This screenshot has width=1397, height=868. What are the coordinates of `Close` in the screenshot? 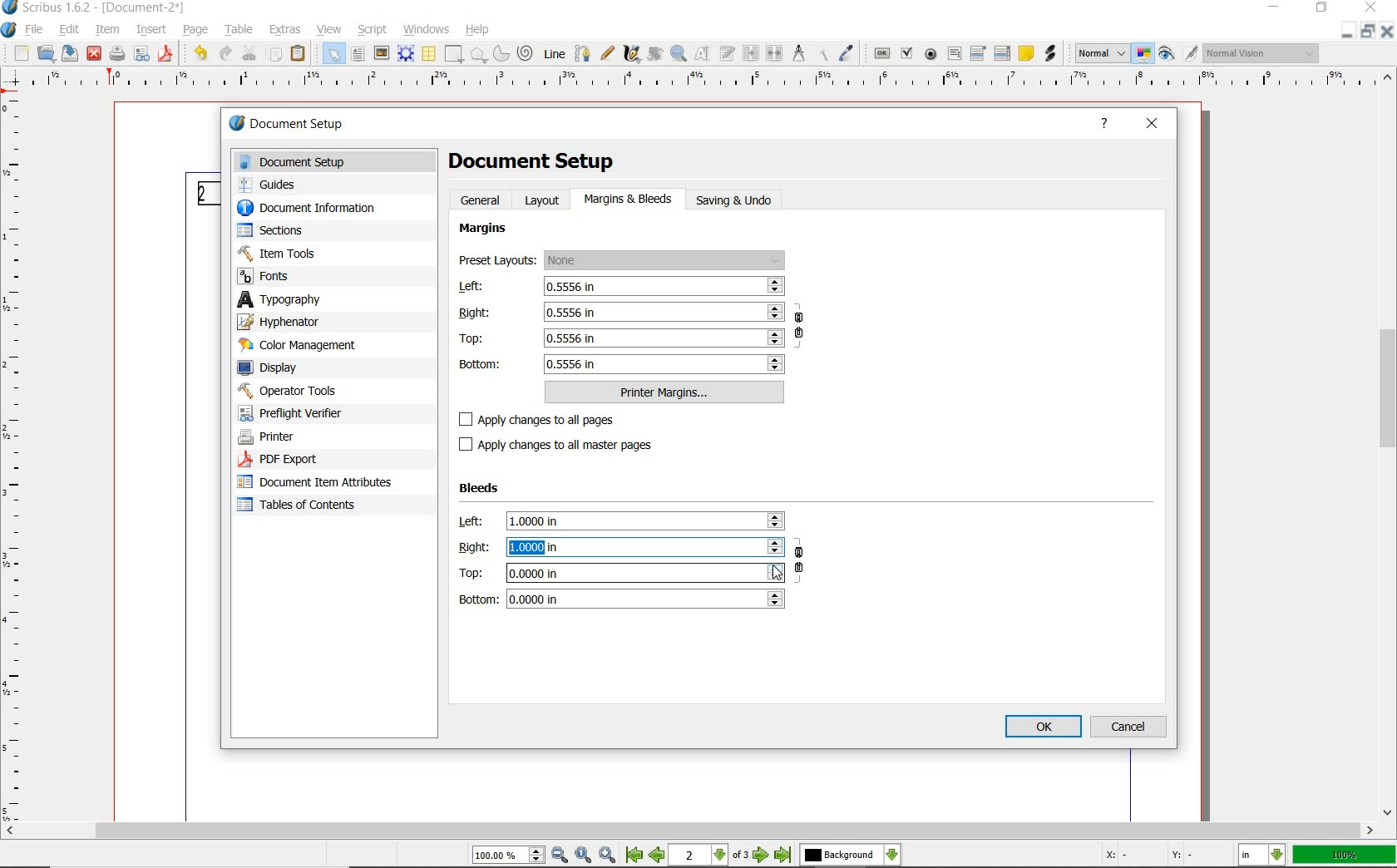 It's located at (1389, 34).